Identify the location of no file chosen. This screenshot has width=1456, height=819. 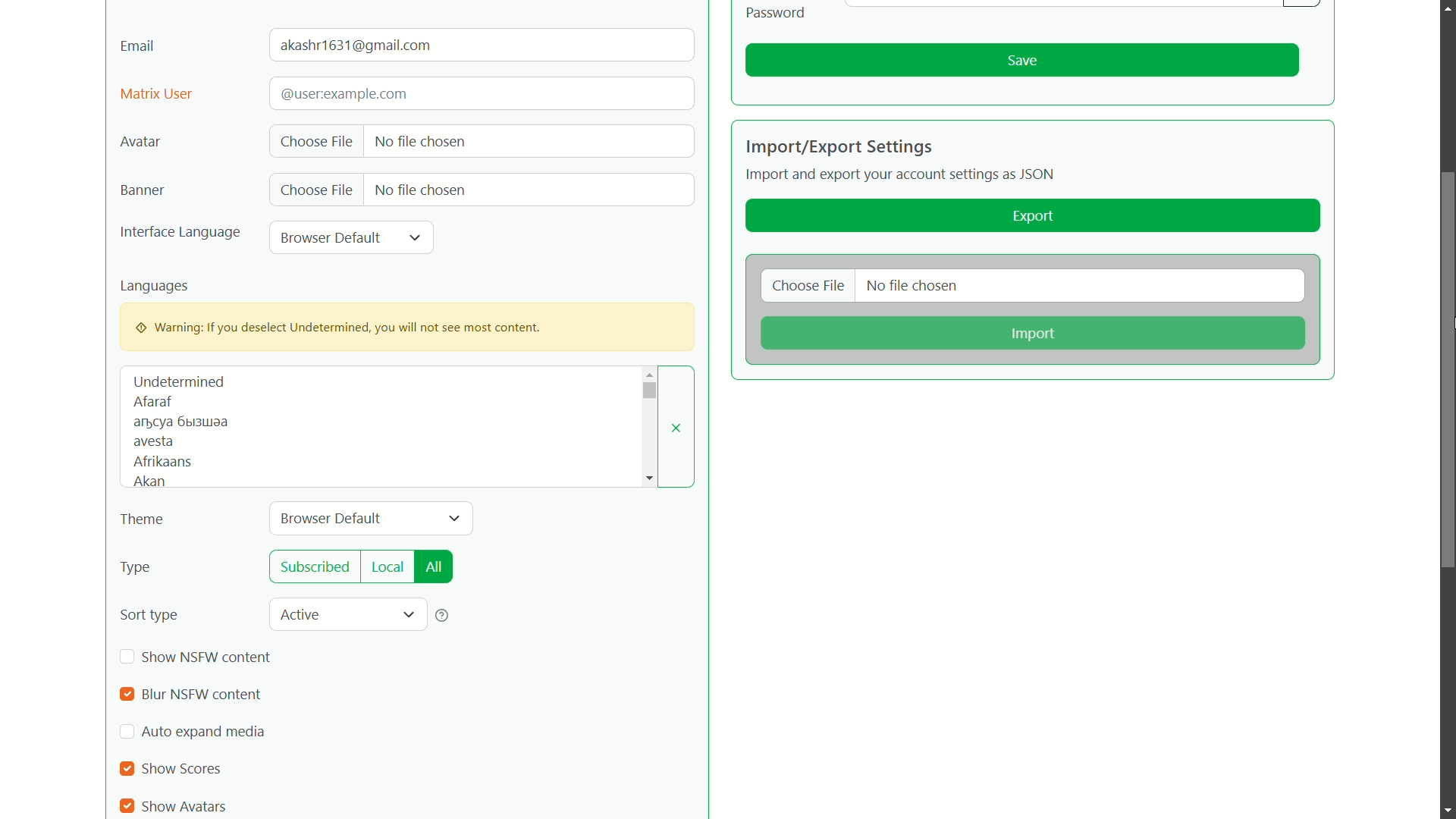
(420, 140).